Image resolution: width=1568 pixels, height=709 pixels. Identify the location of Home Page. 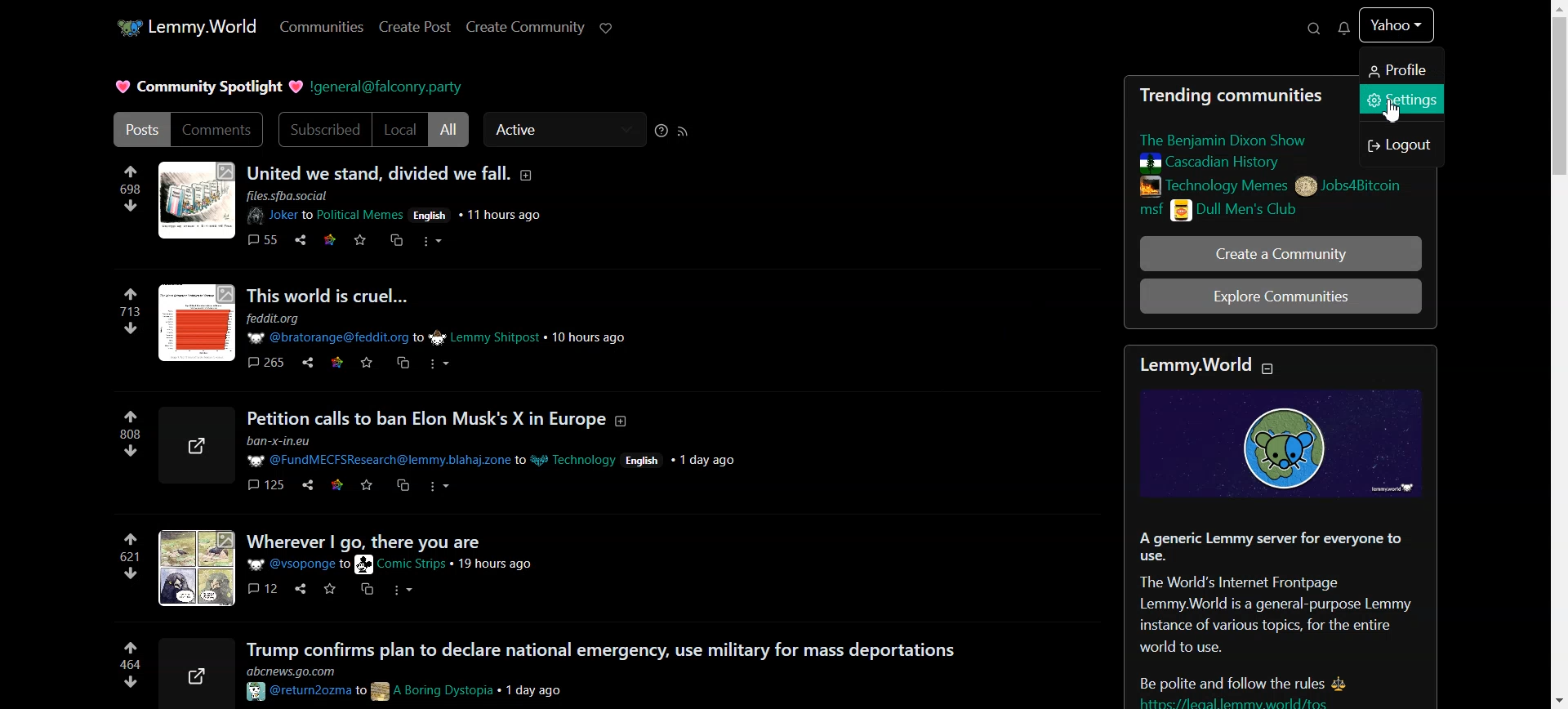
(185, 27).